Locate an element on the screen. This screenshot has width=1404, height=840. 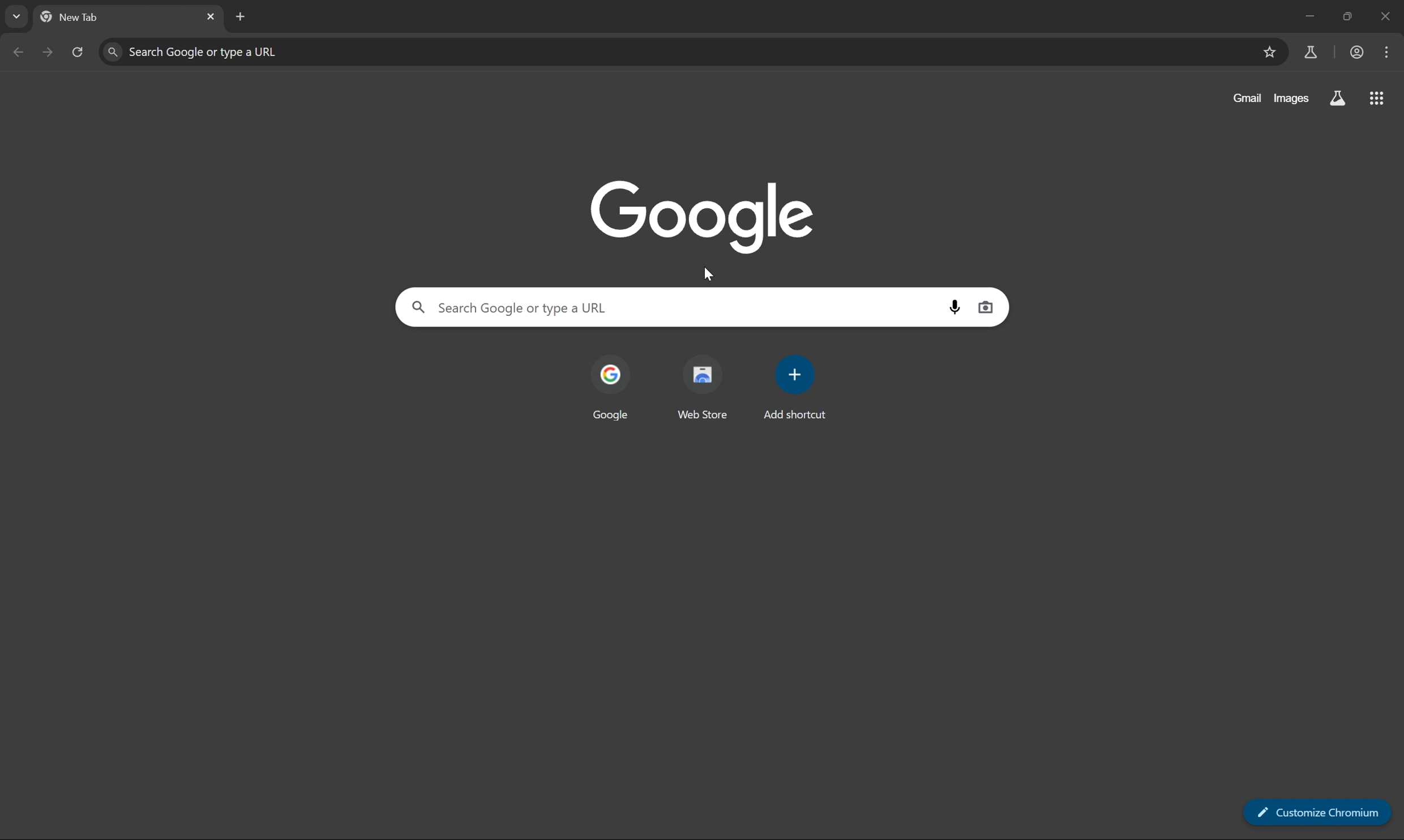
close is located at coordinates (209, 17).